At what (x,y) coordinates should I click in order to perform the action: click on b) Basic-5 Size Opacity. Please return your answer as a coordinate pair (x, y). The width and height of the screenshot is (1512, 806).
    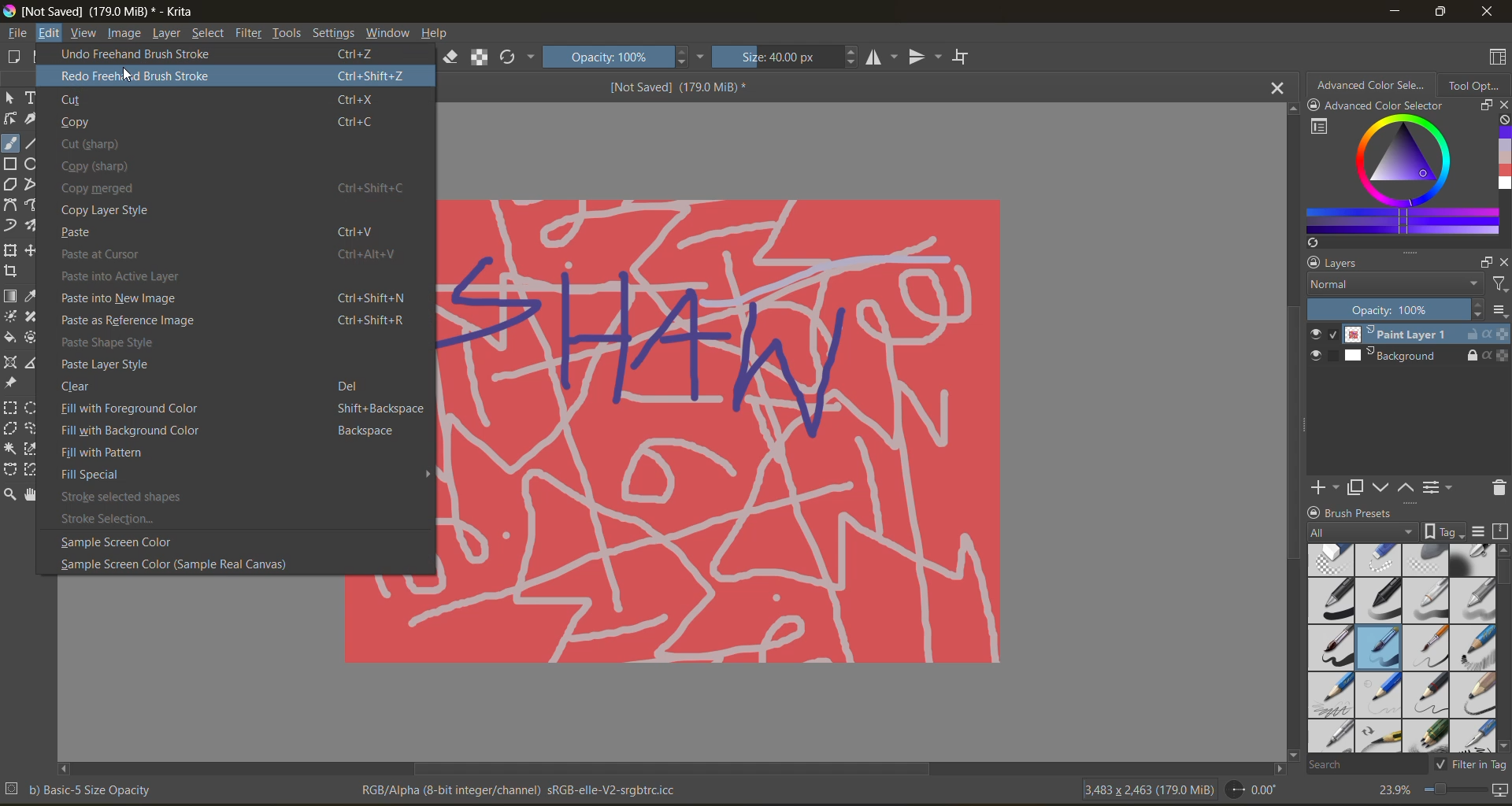
    Looking at the image, I should click on (80, 789).